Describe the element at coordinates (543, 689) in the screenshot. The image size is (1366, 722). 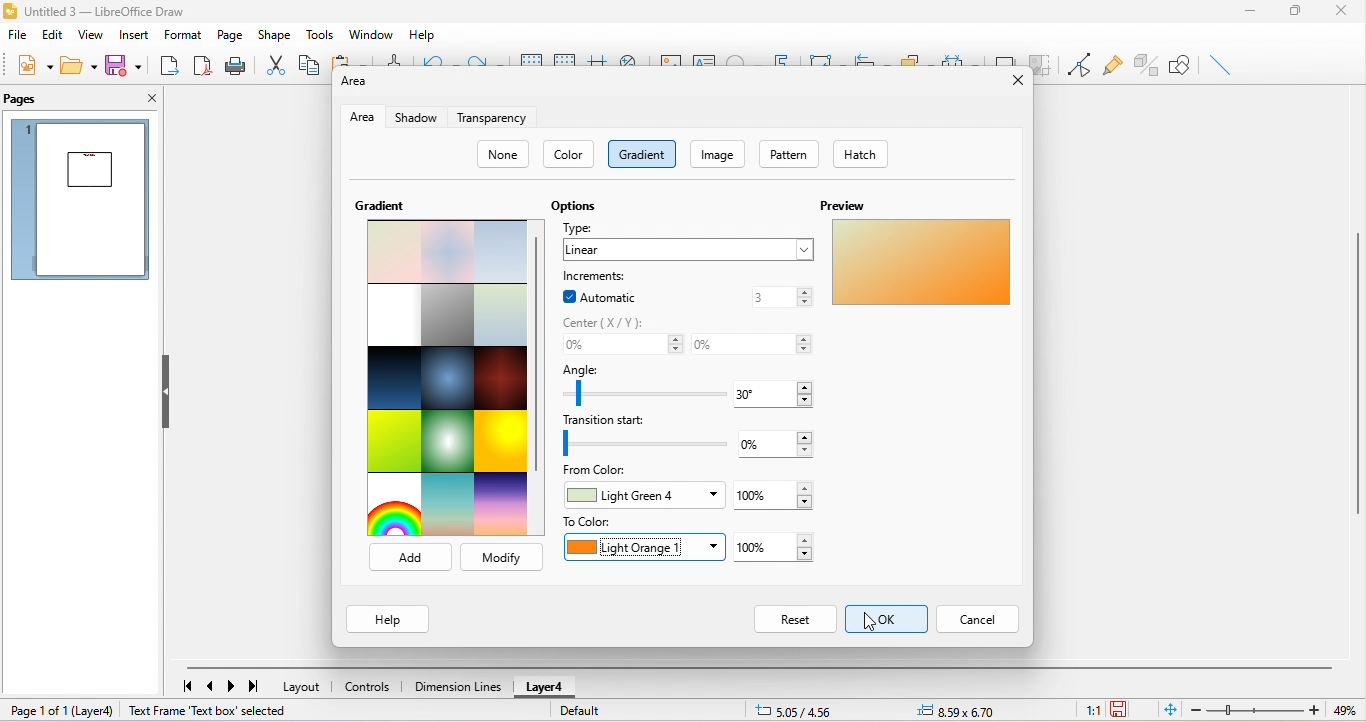
I see `layer 4` at that location.